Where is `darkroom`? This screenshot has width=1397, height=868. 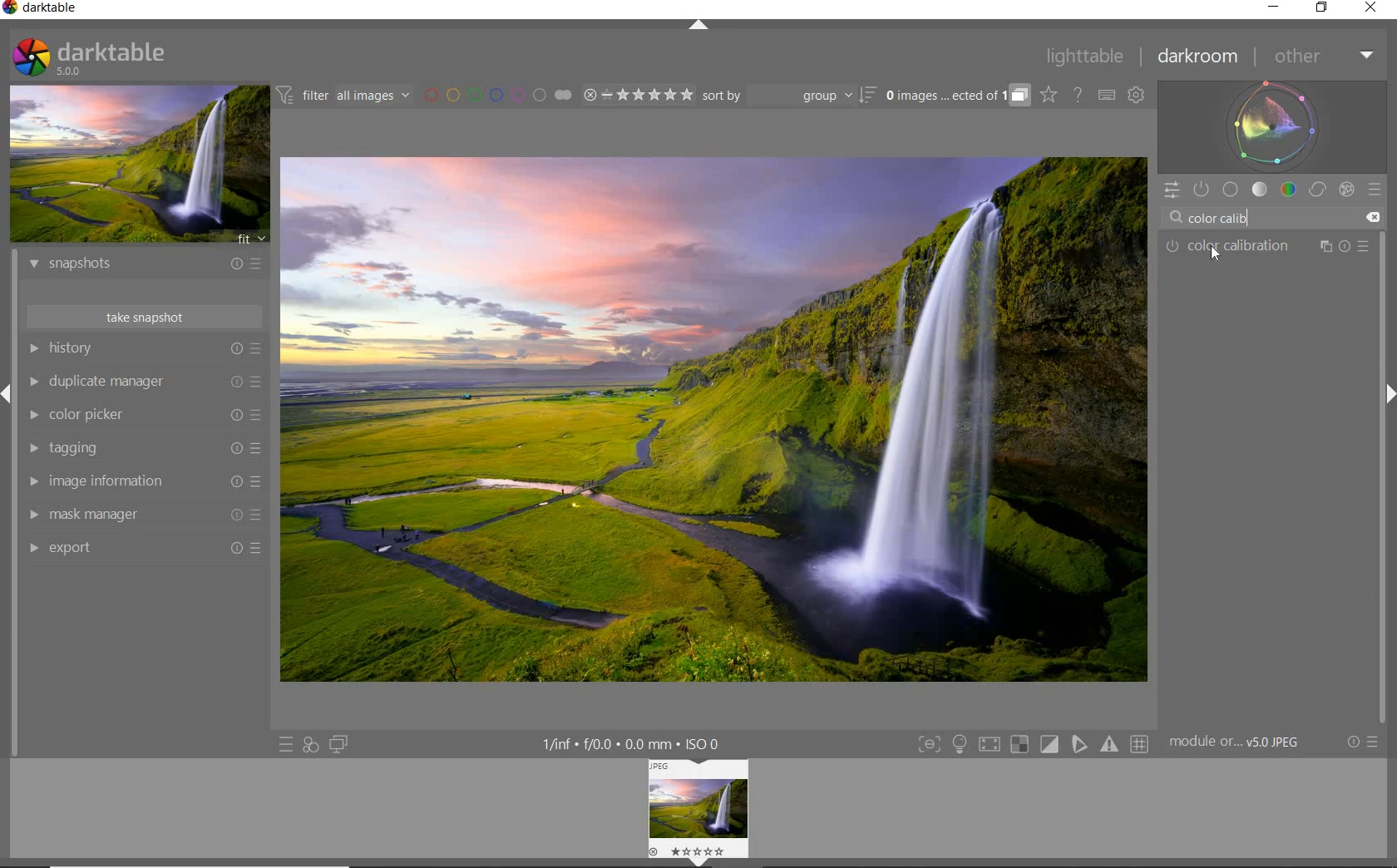 darkroom is located at coordinates (1198, 57).